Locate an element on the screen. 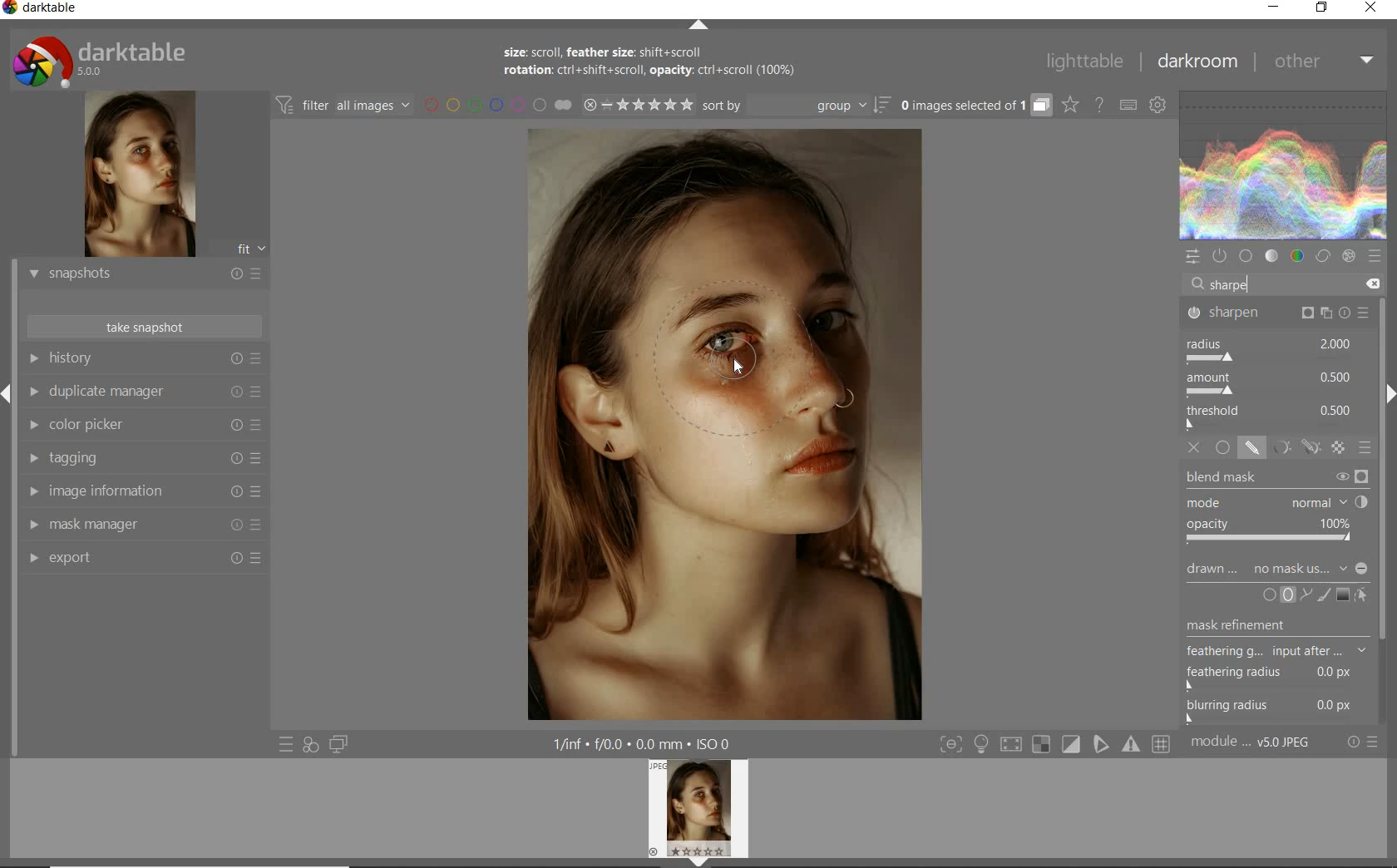  MASK OPTIONS is located at coordinates (1292, 448).